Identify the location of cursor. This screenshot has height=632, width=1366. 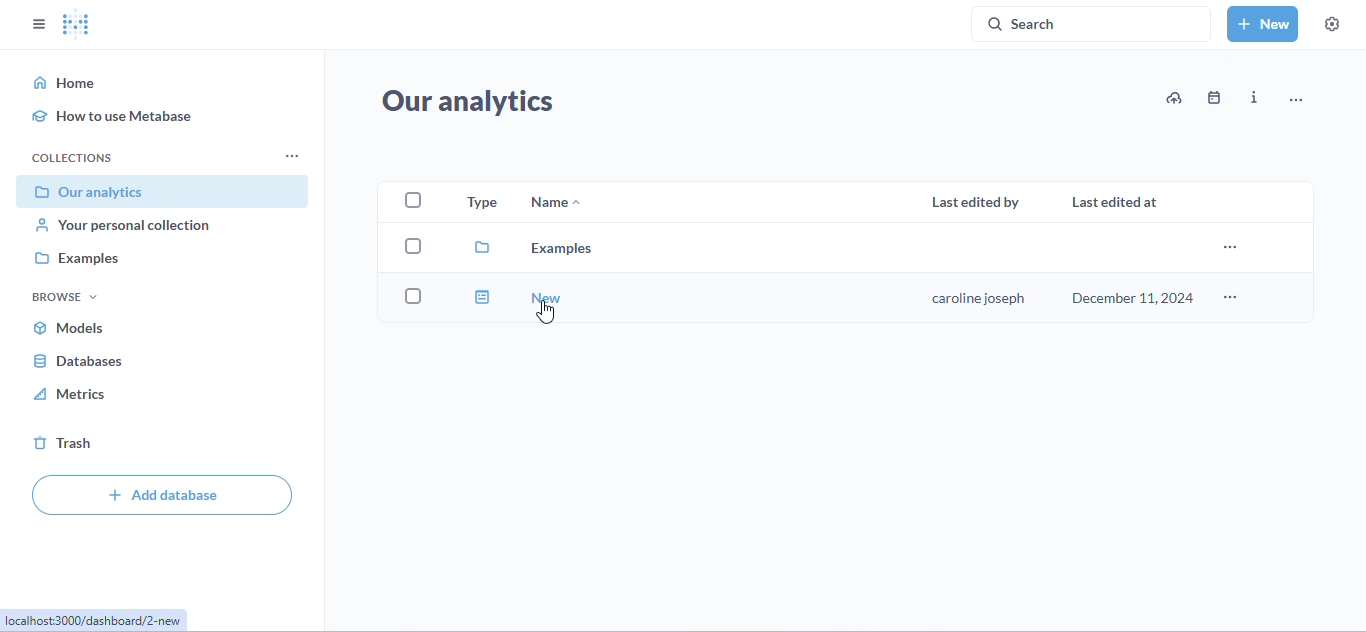
(546, 314).